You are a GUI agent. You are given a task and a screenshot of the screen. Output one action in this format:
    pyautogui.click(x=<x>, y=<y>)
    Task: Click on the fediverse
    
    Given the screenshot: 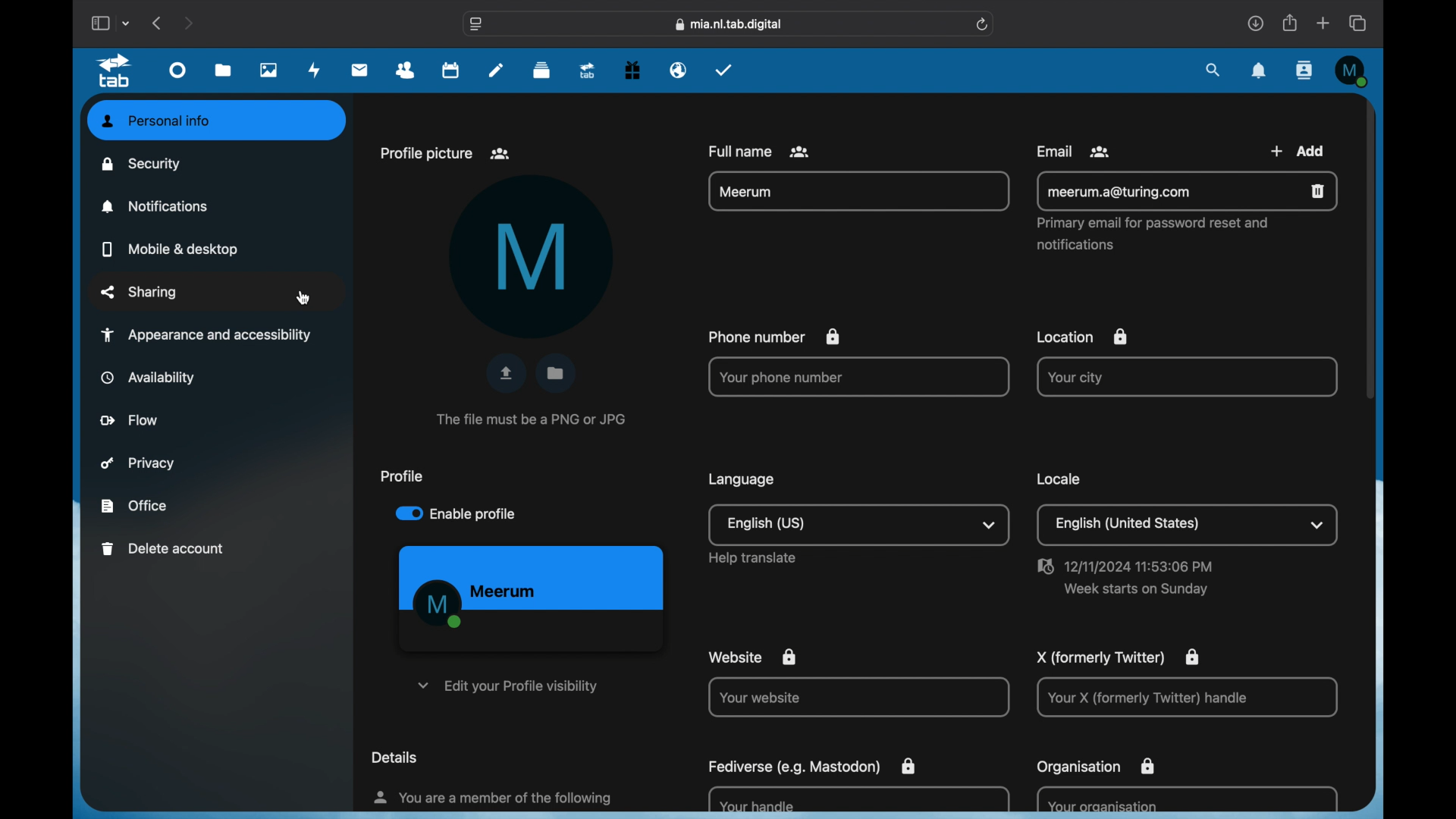 What is the action you would take?
    pyautogui.click(x=813, y=767)
    